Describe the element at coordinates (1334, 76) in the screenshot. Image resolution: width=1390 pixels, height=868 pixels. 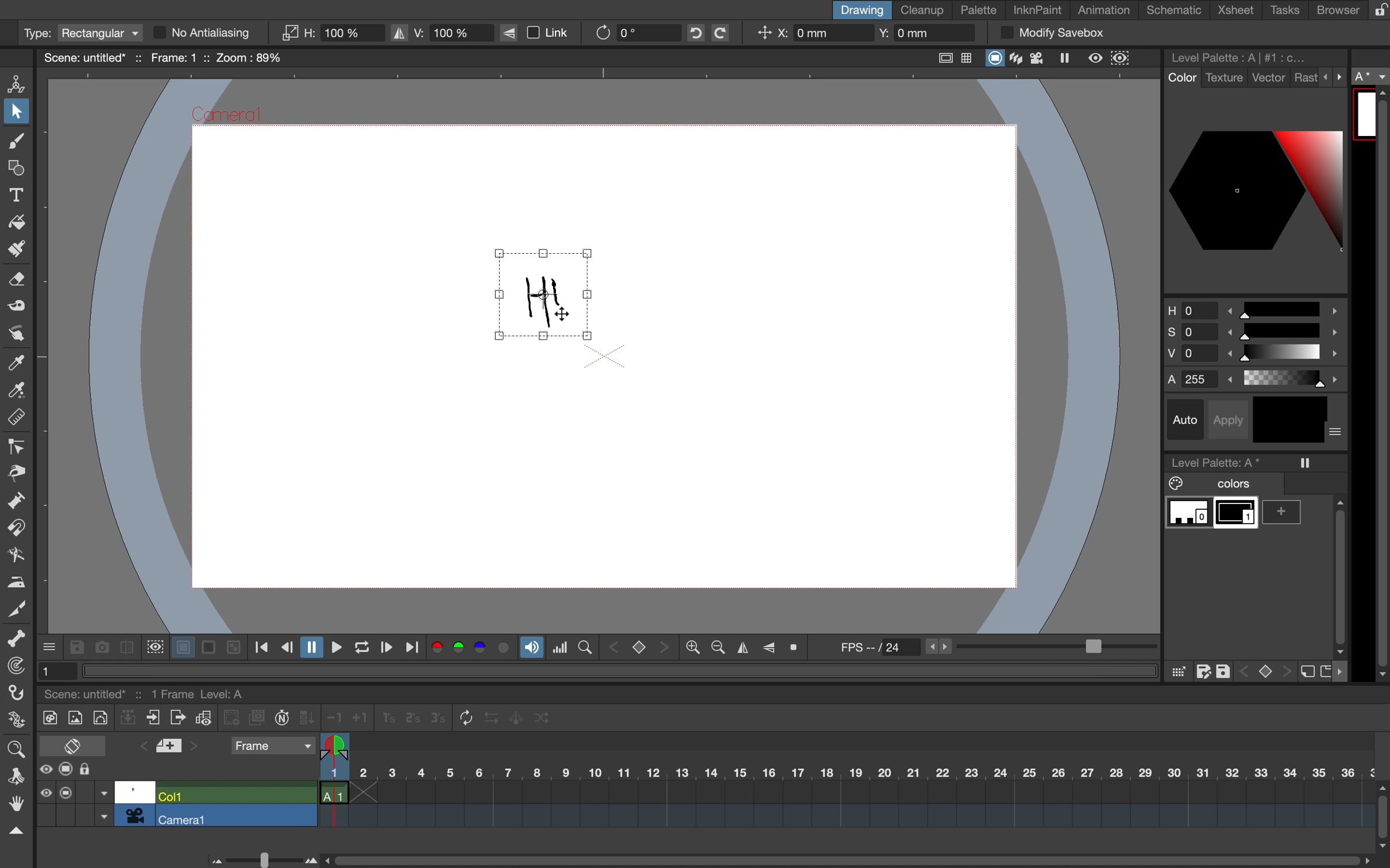
I see `more options` at that location.